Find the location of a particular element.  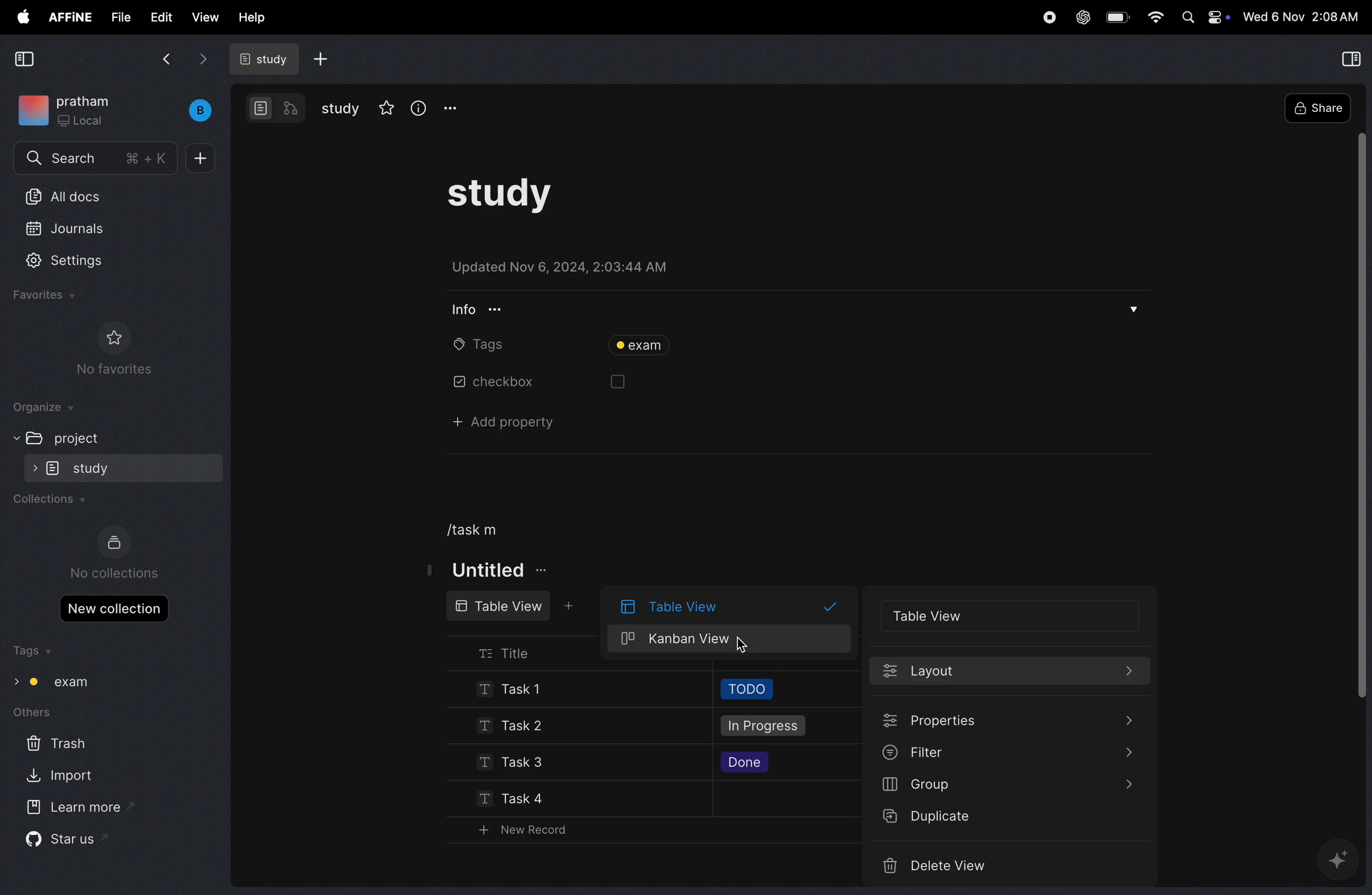

duplicate is located at coordinates (1004, 817).